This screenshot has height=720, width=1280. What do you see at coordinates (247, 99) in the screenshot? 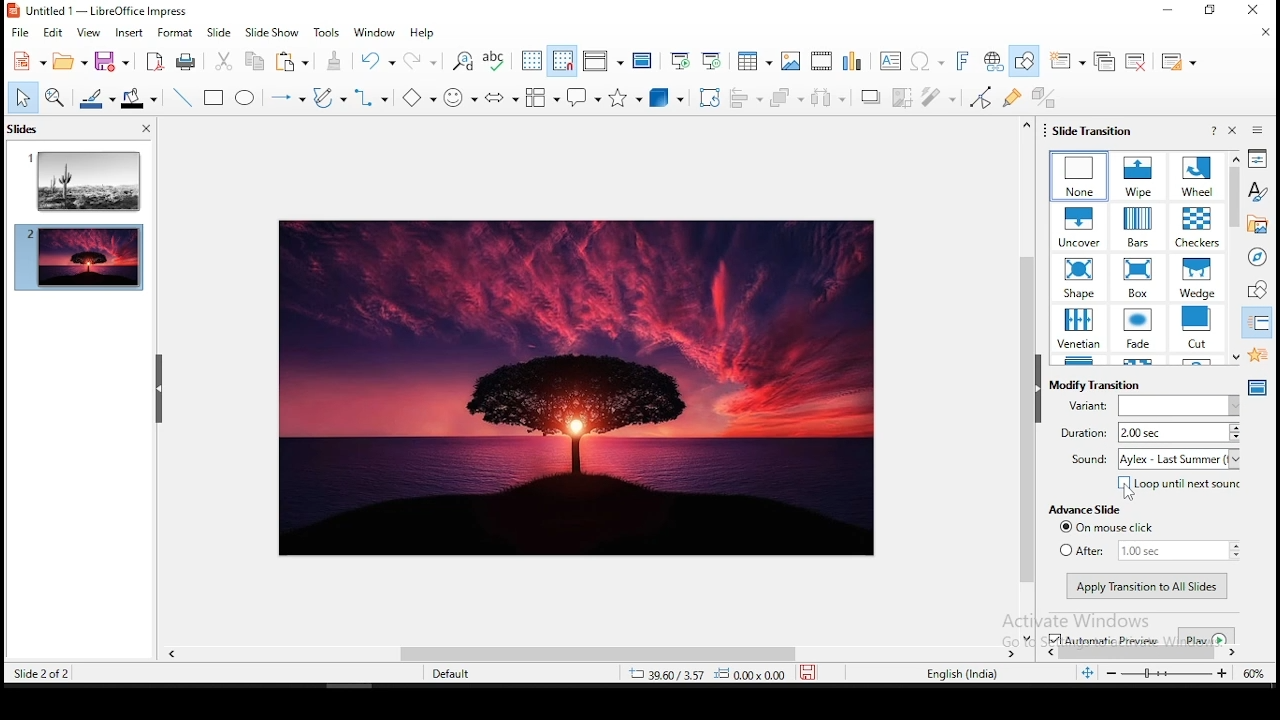
I see `ellipse` at bounding box center [247, 99].